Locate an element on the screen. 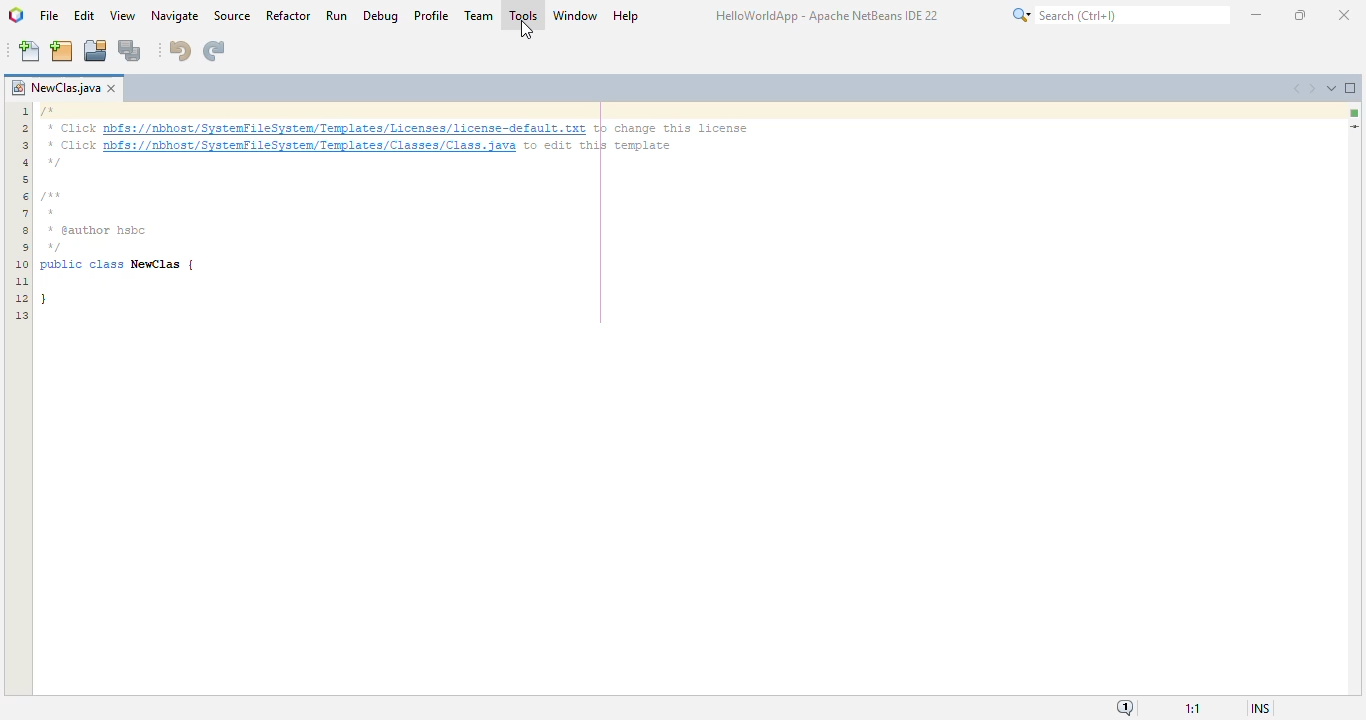 This screenshot has height=720, width=1366. search is located at coordinates (1118, 15).